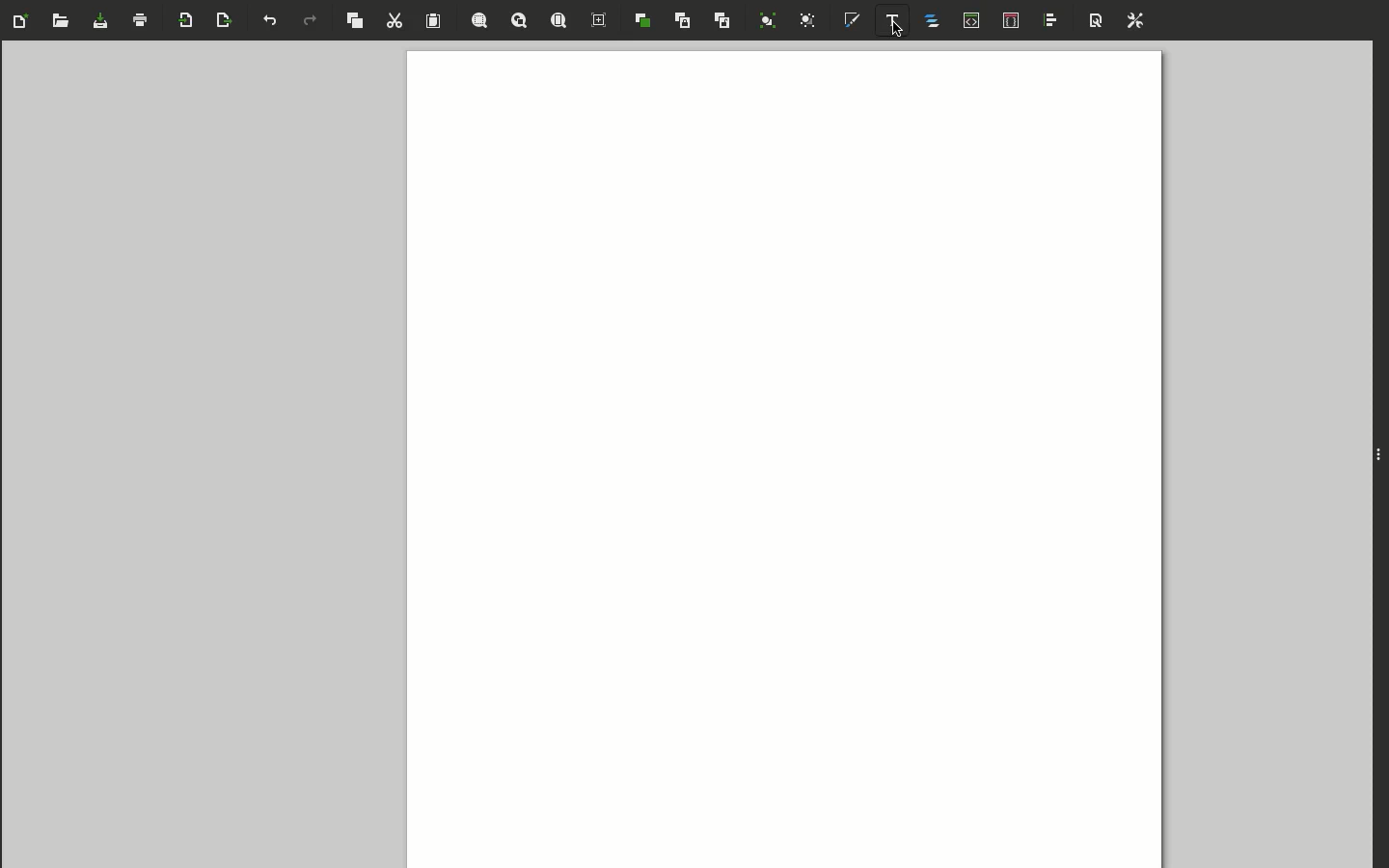 The image size is (1389, 868). What do you see at coordinates (481, 22) in the screenshot?
I see `Zoom selection` at bounding box center [481, 22].